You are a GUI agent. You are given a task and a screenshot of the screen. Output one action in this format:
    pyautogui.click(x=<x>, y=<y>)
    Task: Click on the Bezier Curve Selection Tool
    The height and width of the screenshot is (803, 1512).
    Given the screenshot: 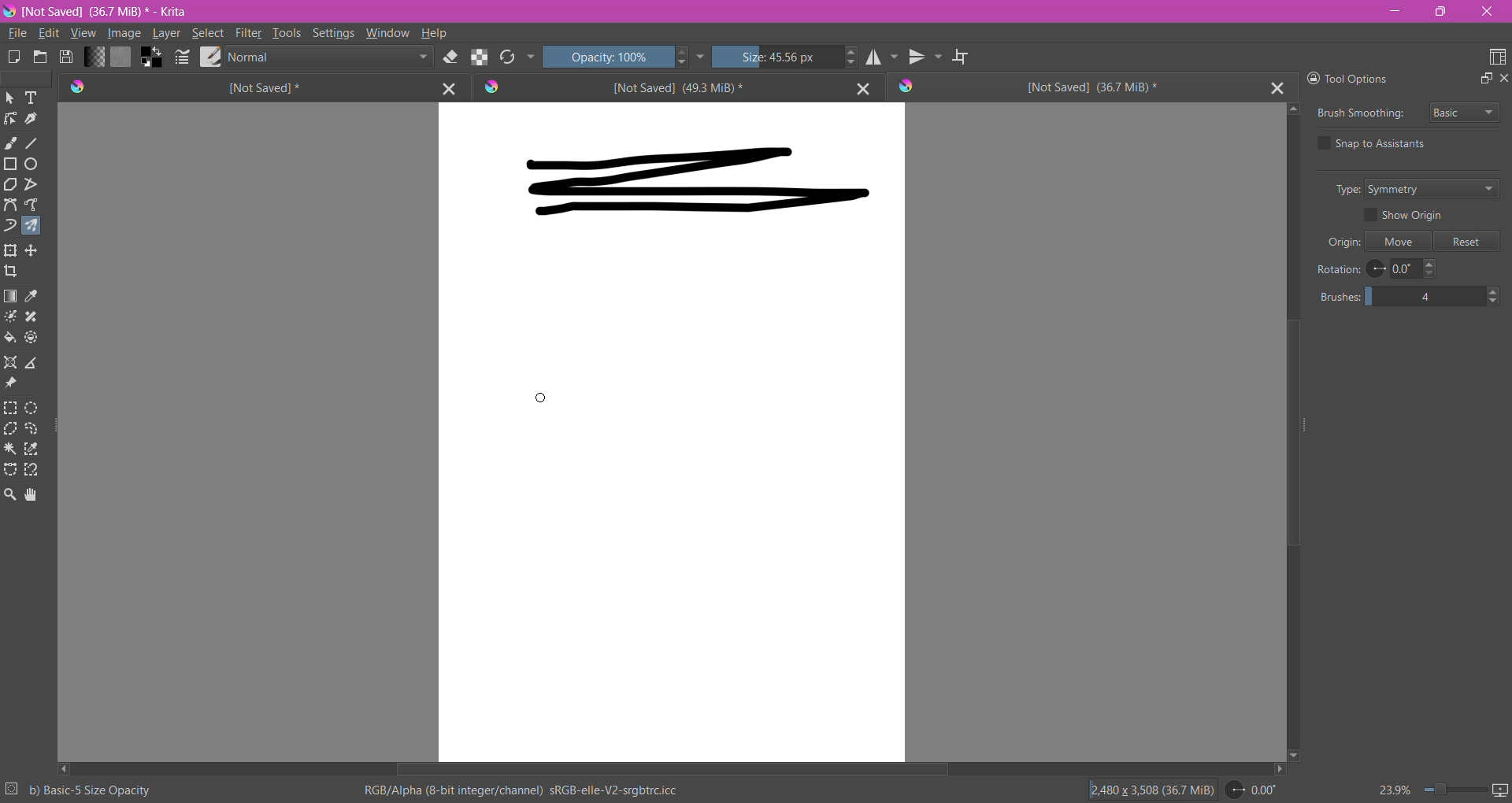 What is the action you would take?
    pyautogui.click(x=11, y=470)
    